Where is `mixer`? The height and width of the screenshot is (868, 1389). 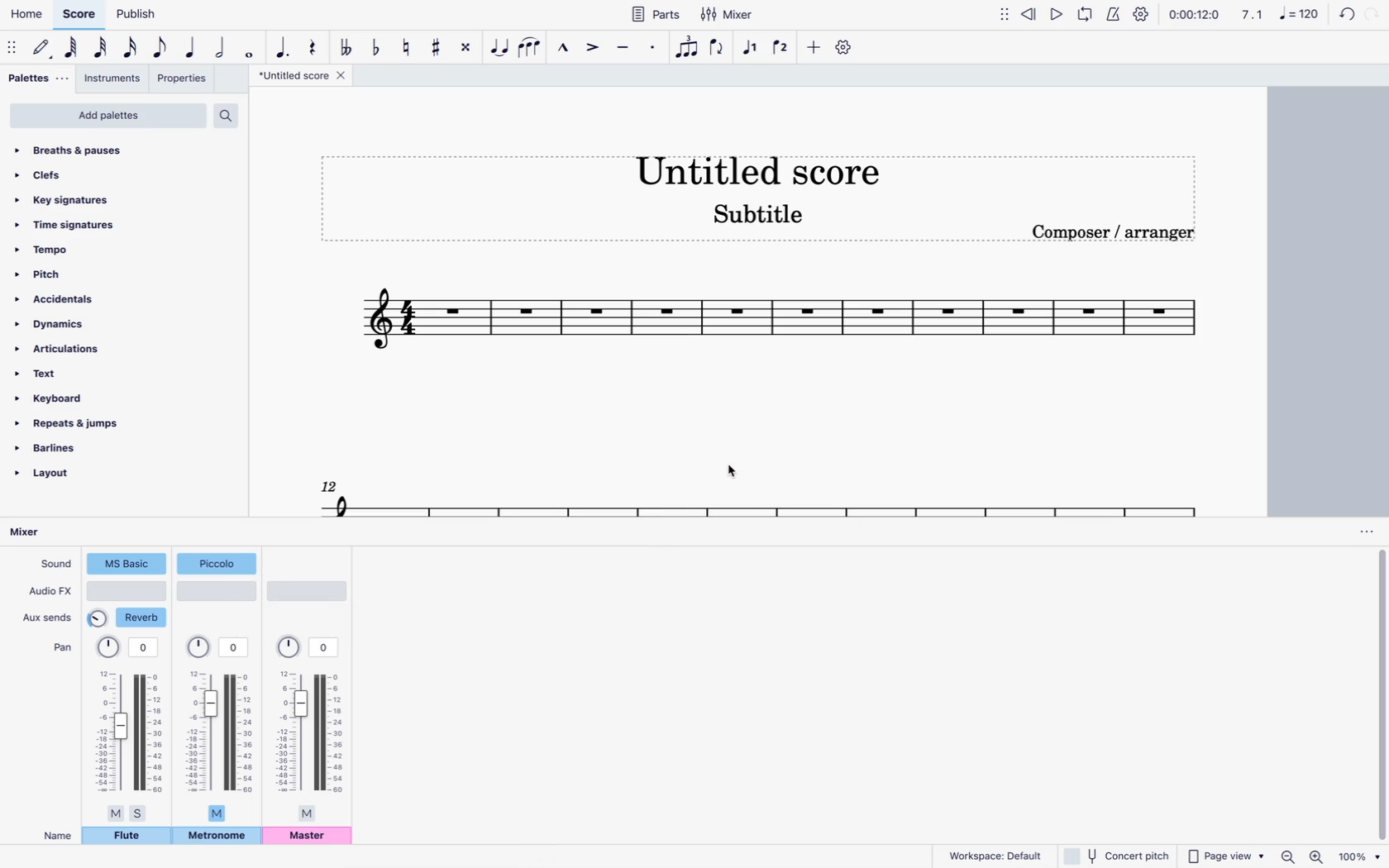 mixer is located at coordinates (728, 15).